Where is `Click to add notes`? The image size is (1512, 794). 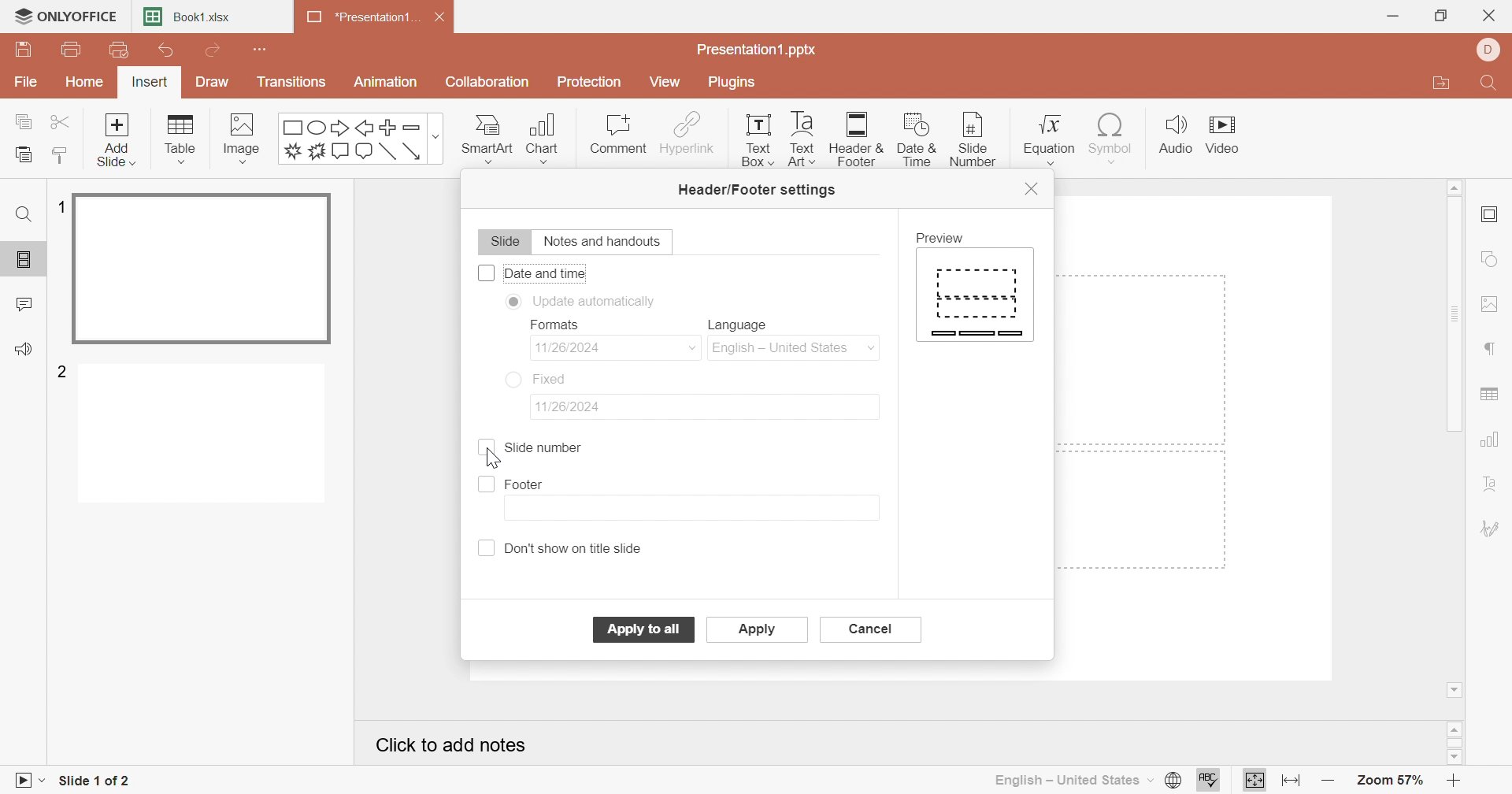
Click to add notes is located at coordinates (455, 748).